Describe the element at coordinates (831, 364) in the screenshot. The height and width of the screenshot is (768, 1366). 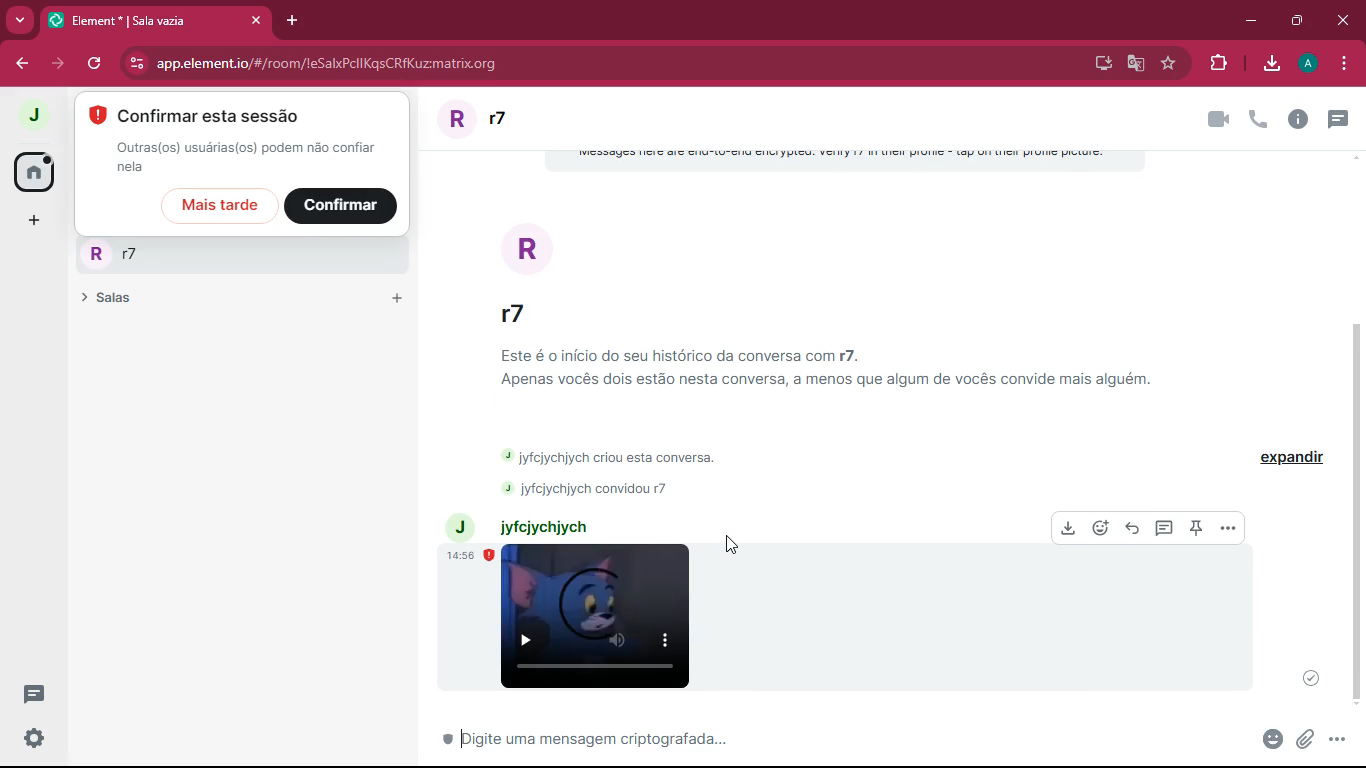
I see `Este é o inicio do seu histérico da conversa com £7.
Apenas voces dois estdo nesta conversa, a menos que algum de vocés convide mais alguém.` at that location.